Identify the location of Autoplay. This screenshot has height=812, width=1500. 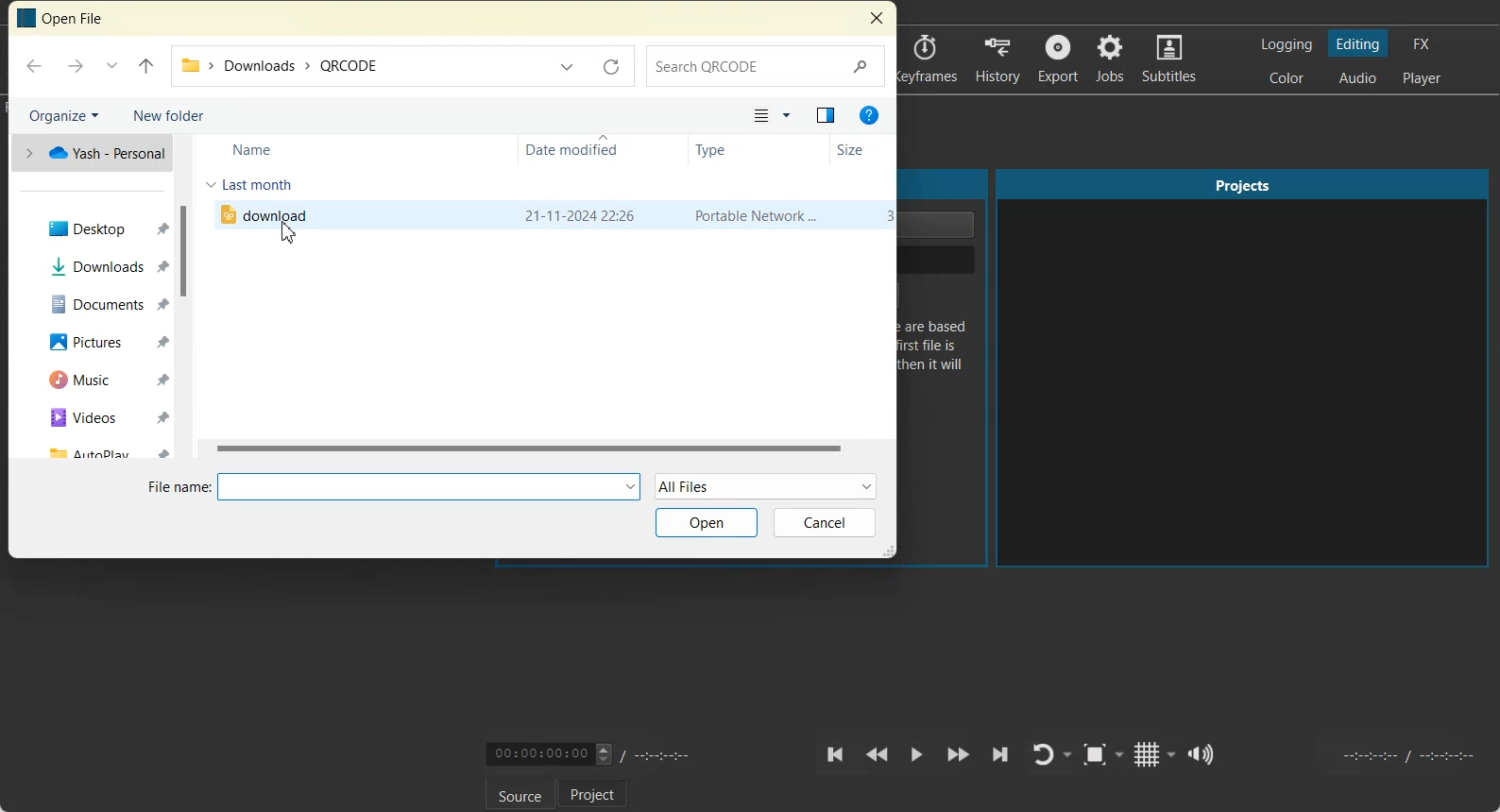
(98, 448).